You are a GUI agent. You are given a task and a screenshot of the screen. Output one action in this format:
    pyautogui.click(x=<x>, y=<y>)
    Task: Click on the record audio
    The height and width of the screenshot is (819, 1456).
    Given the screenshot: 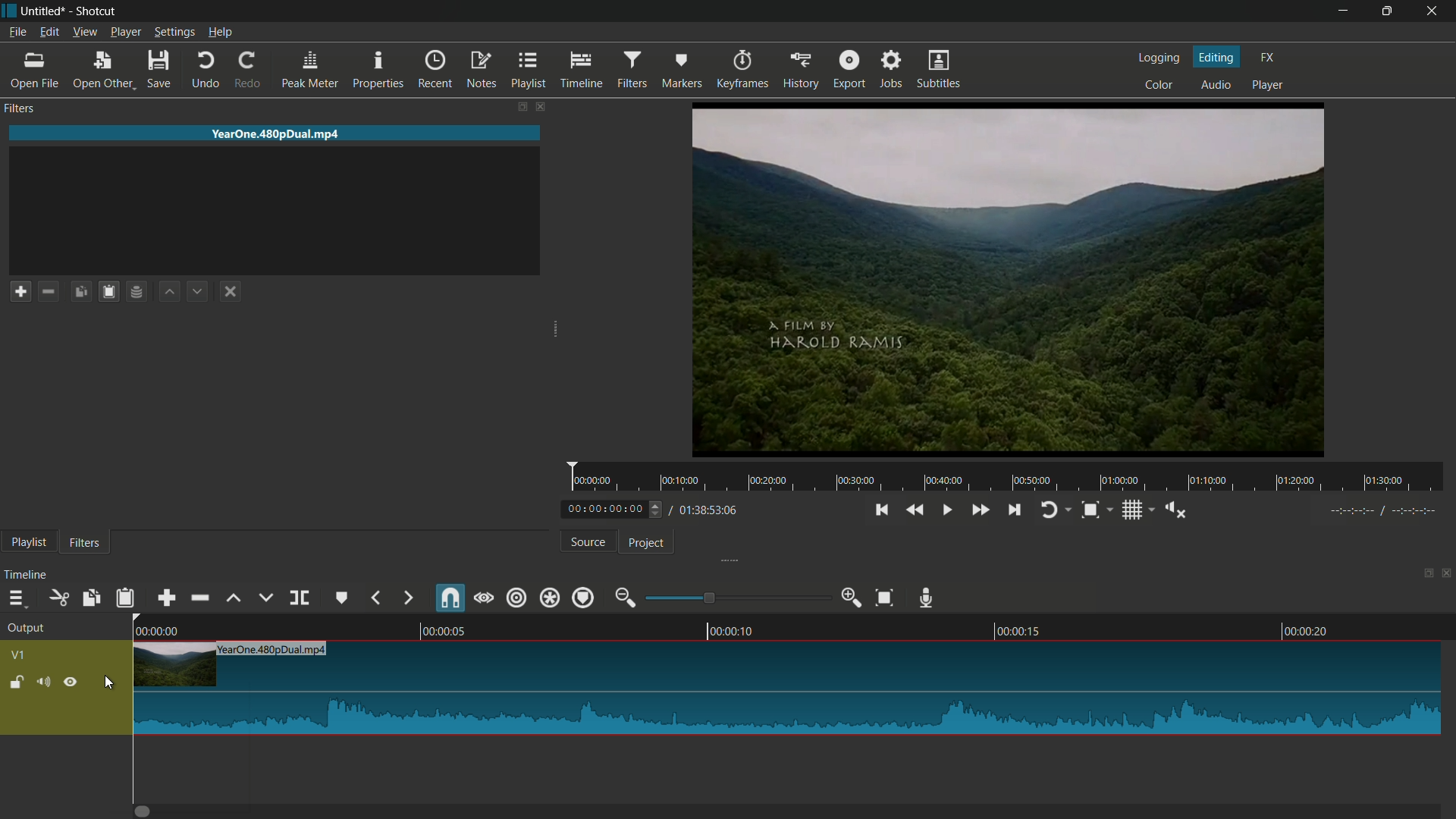 What is the action you would take?
    pyautogui.click(x=927, y=596)
    